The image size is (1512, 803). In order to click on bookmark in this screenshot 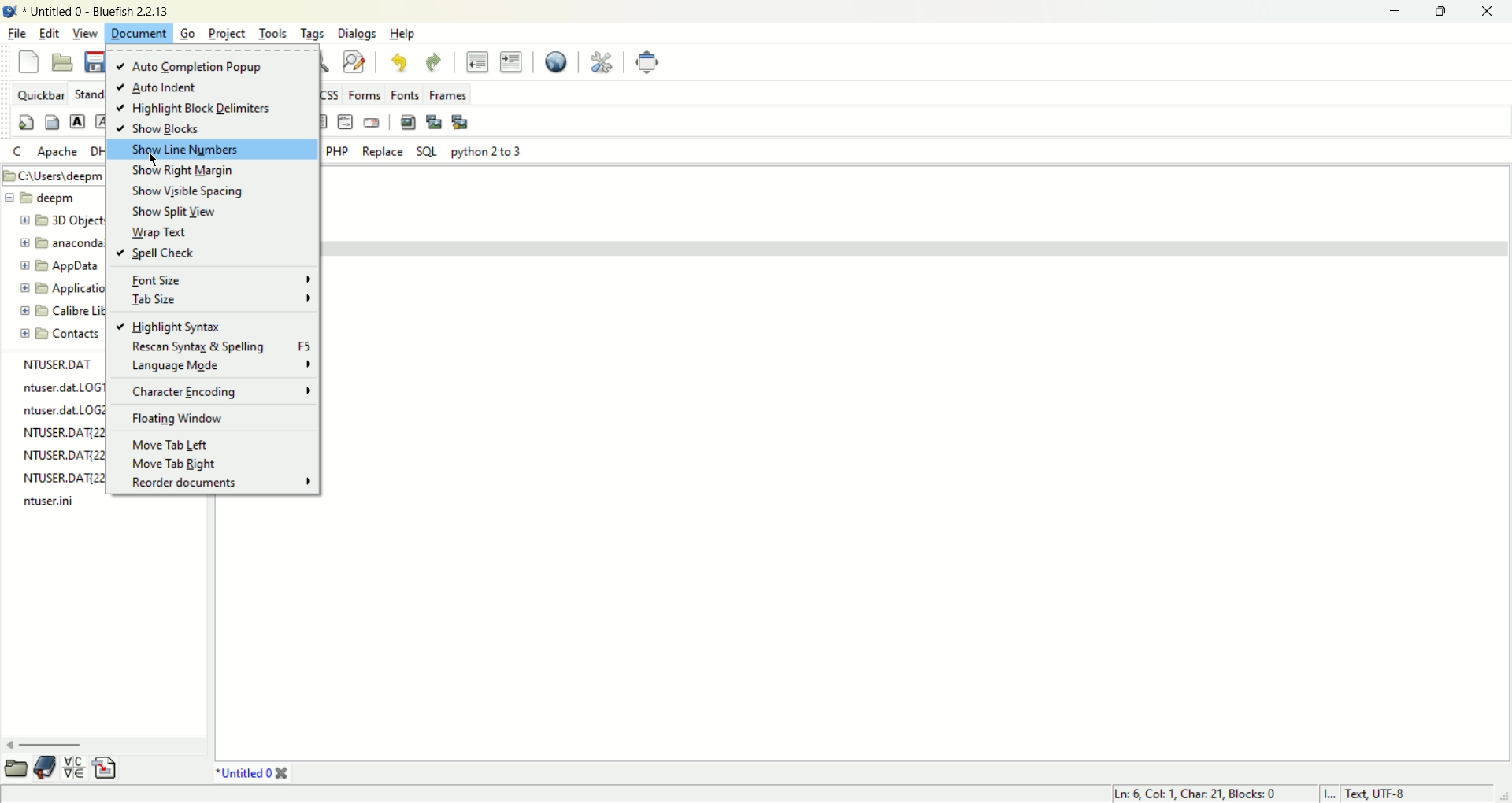, I will do `click(44, 768)`.